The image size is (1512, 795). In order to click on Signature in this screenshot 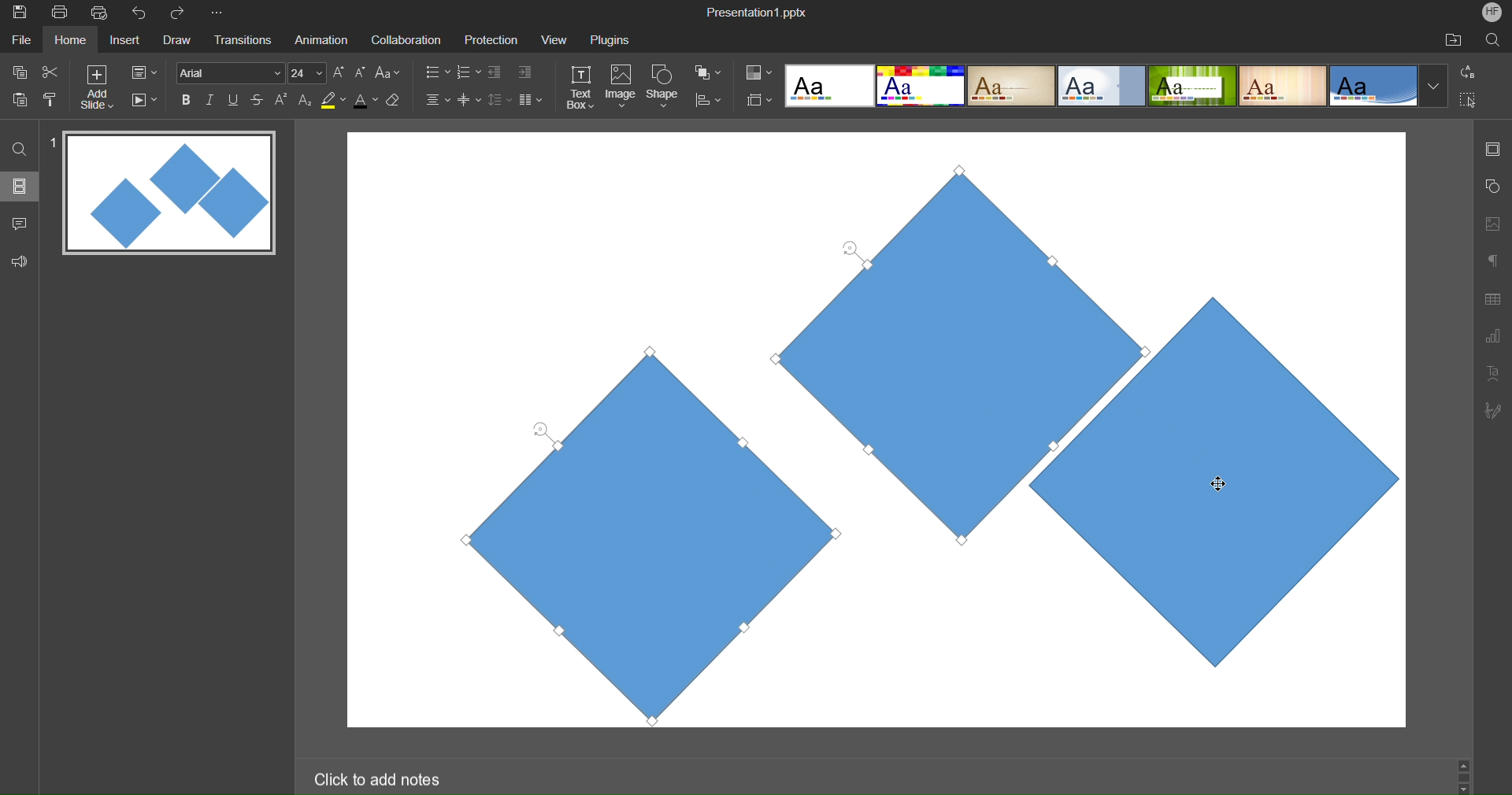, I will do `click(1492, 410)`.